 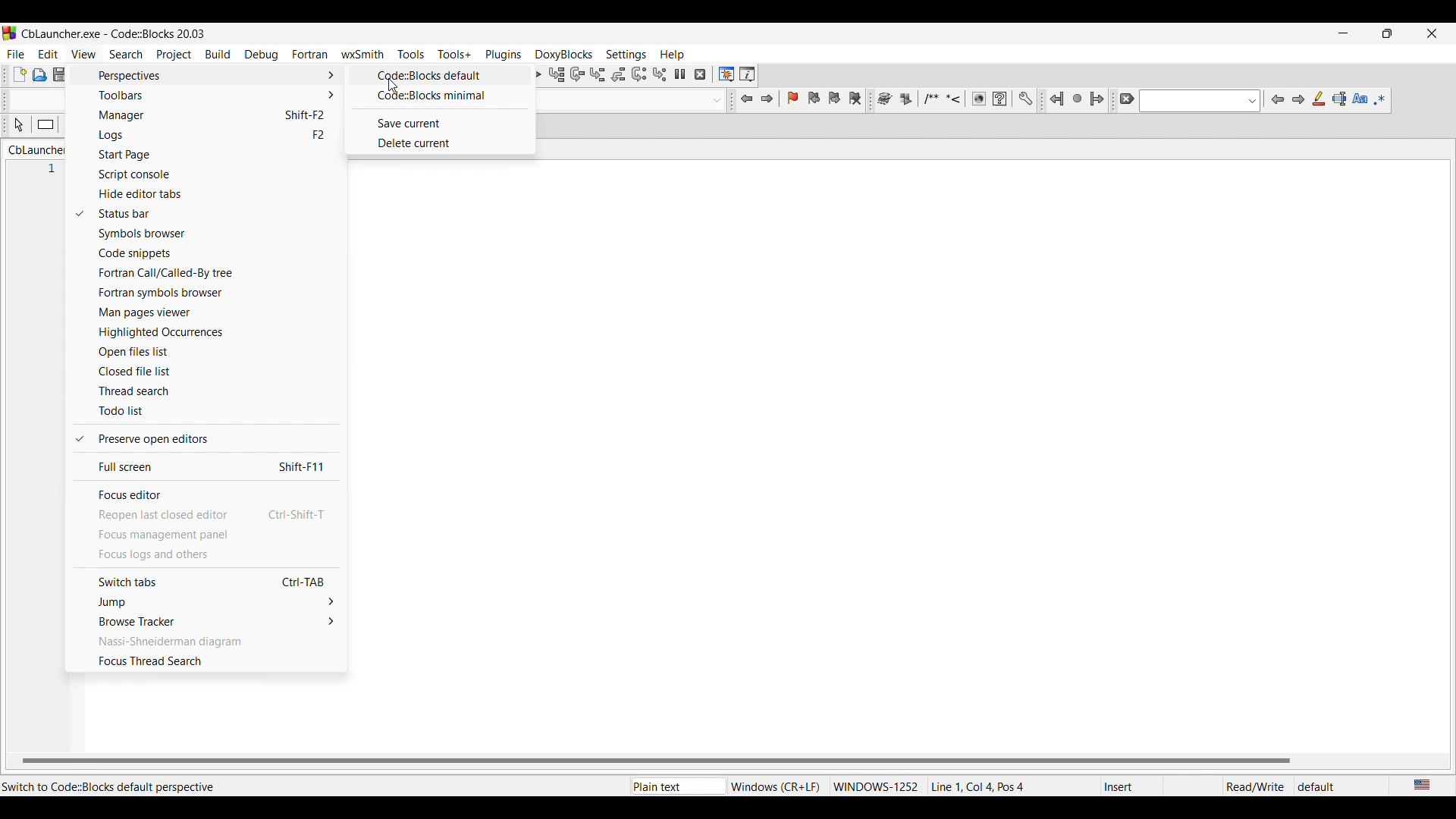 I want to click on Toolbar options, so click(x=215, y=95).